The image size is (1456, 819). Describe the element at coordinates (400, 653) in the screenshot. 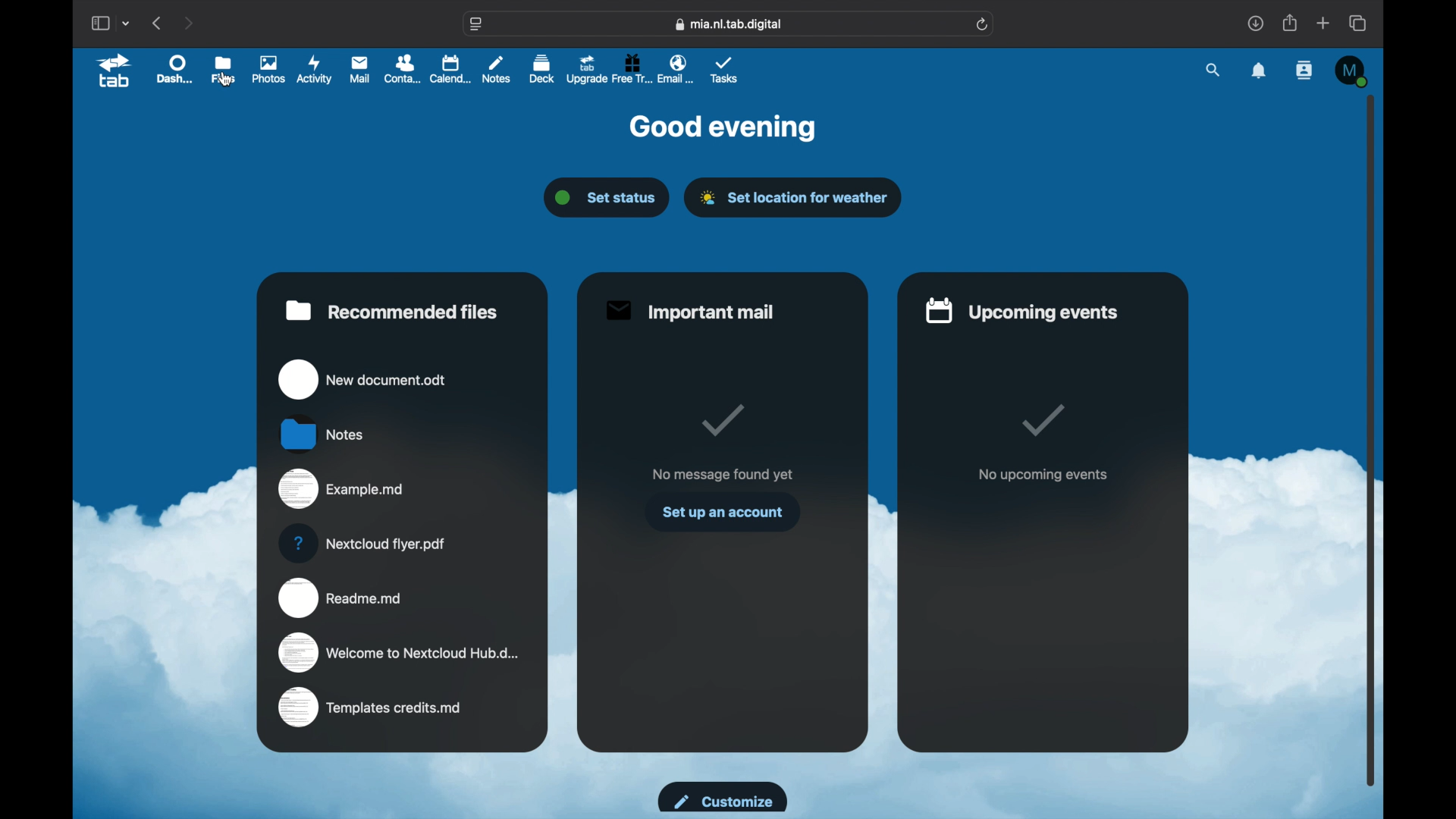

I see `welcome` at that location.